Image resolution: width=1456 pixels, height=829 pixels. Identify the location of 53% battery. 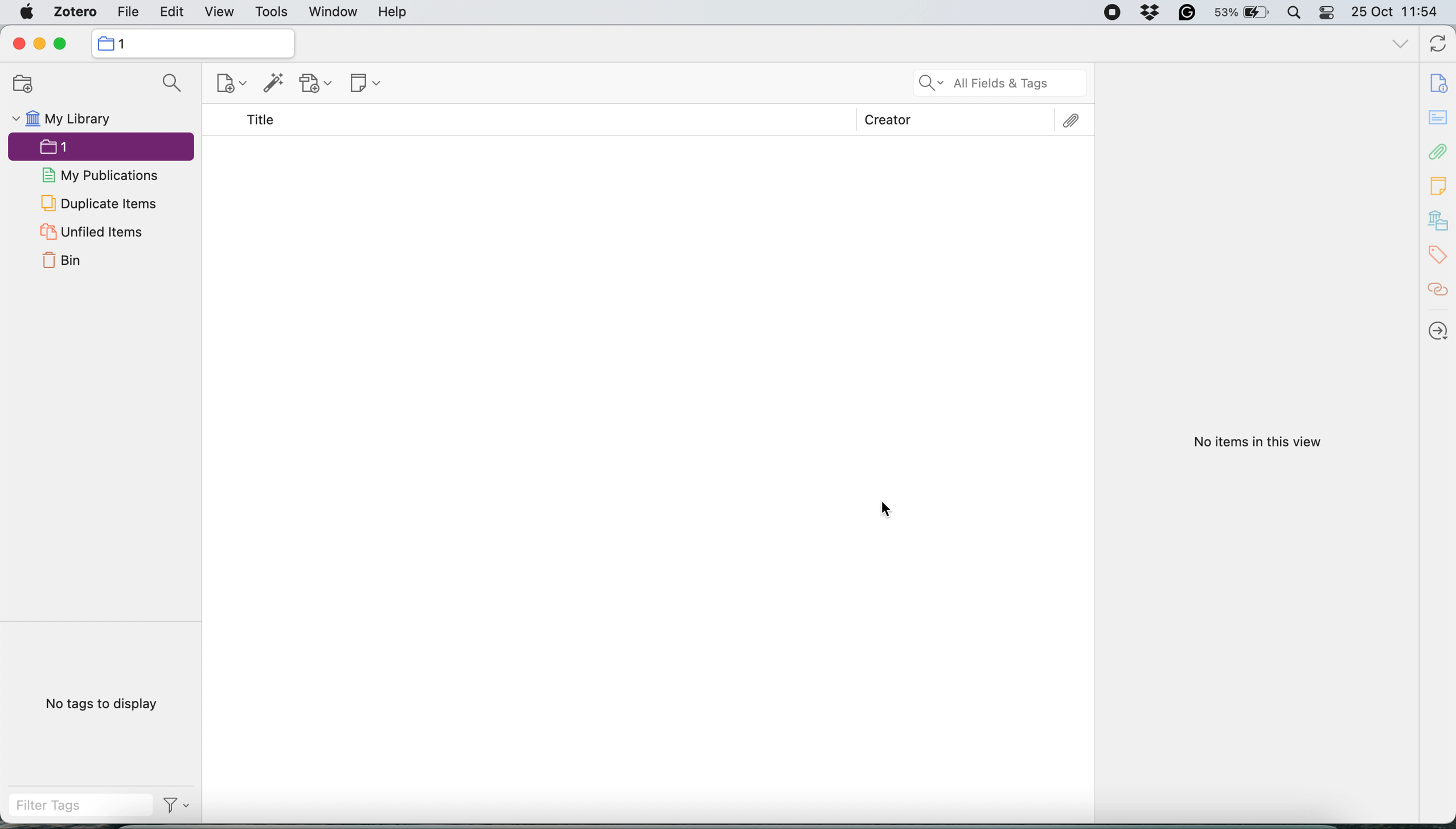
(1245, 13).